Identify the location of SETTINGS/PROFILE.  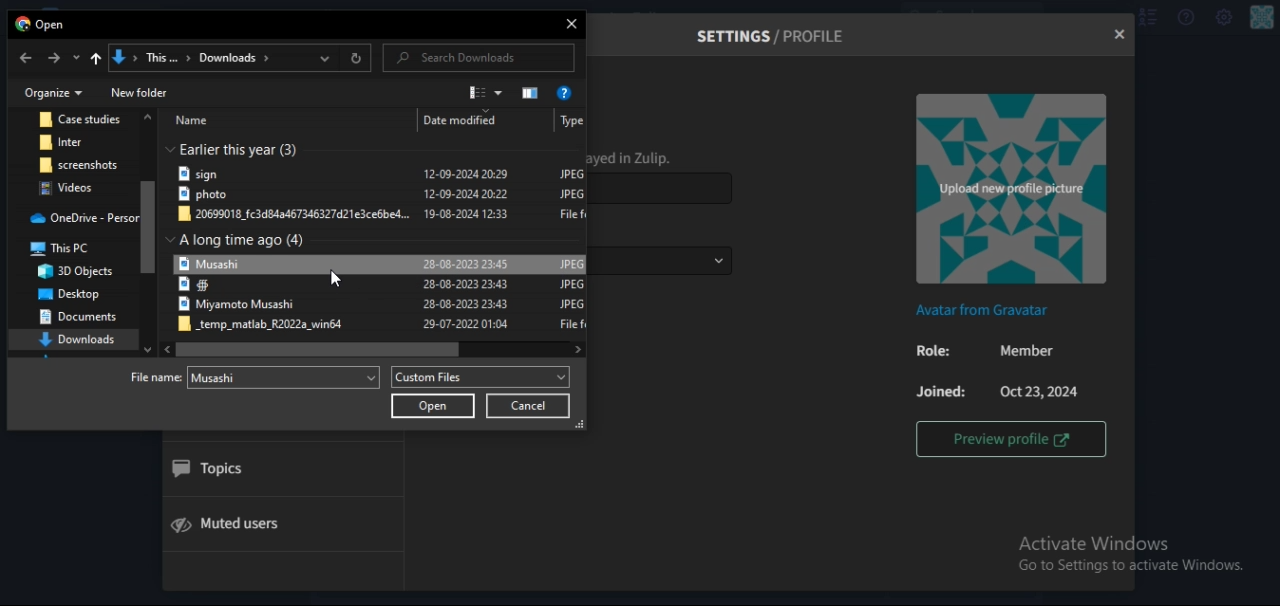
(774, 36).